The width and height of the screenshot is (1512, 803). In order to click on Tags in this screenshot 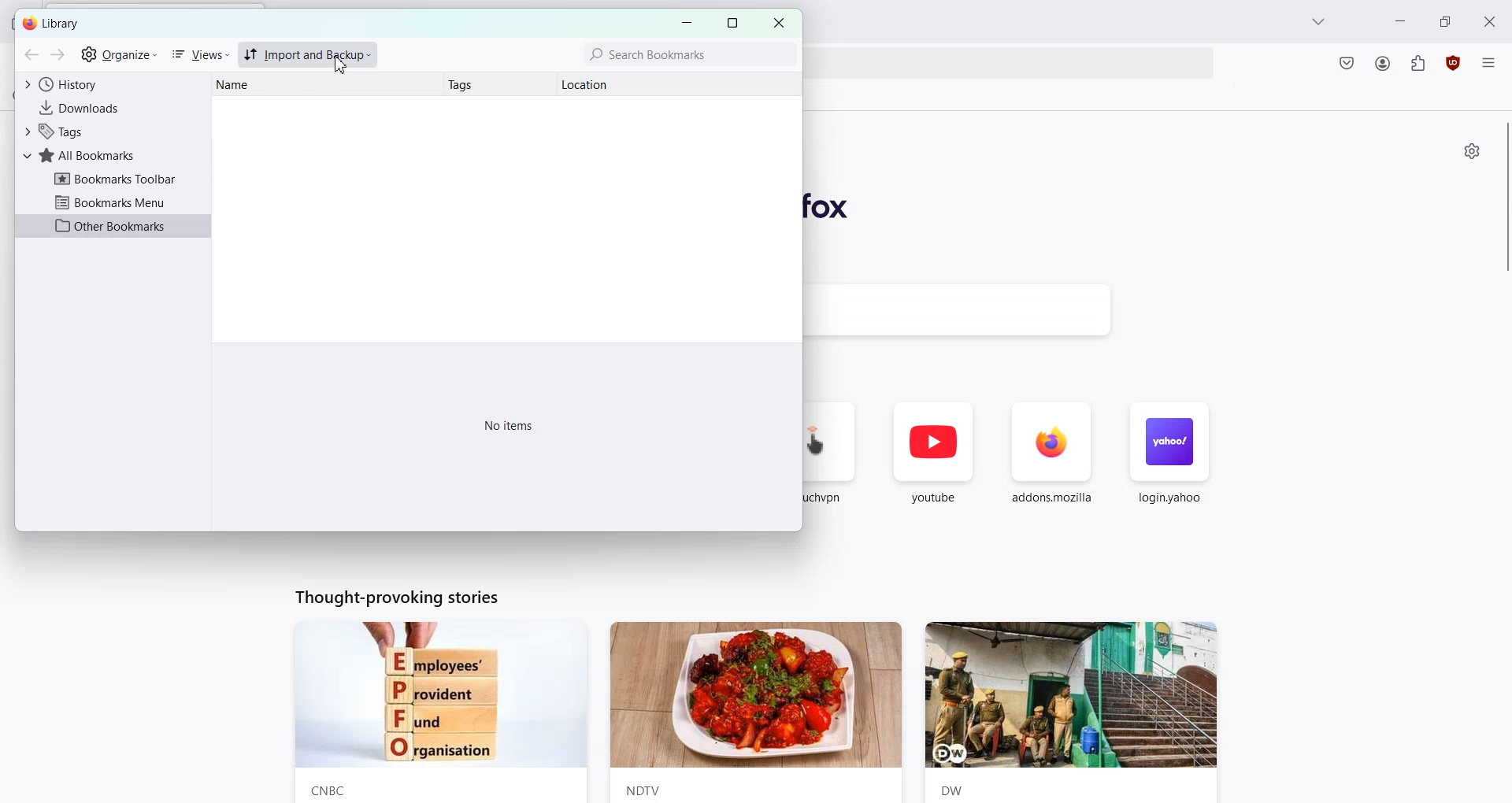, I will do `click(110, 131)`.